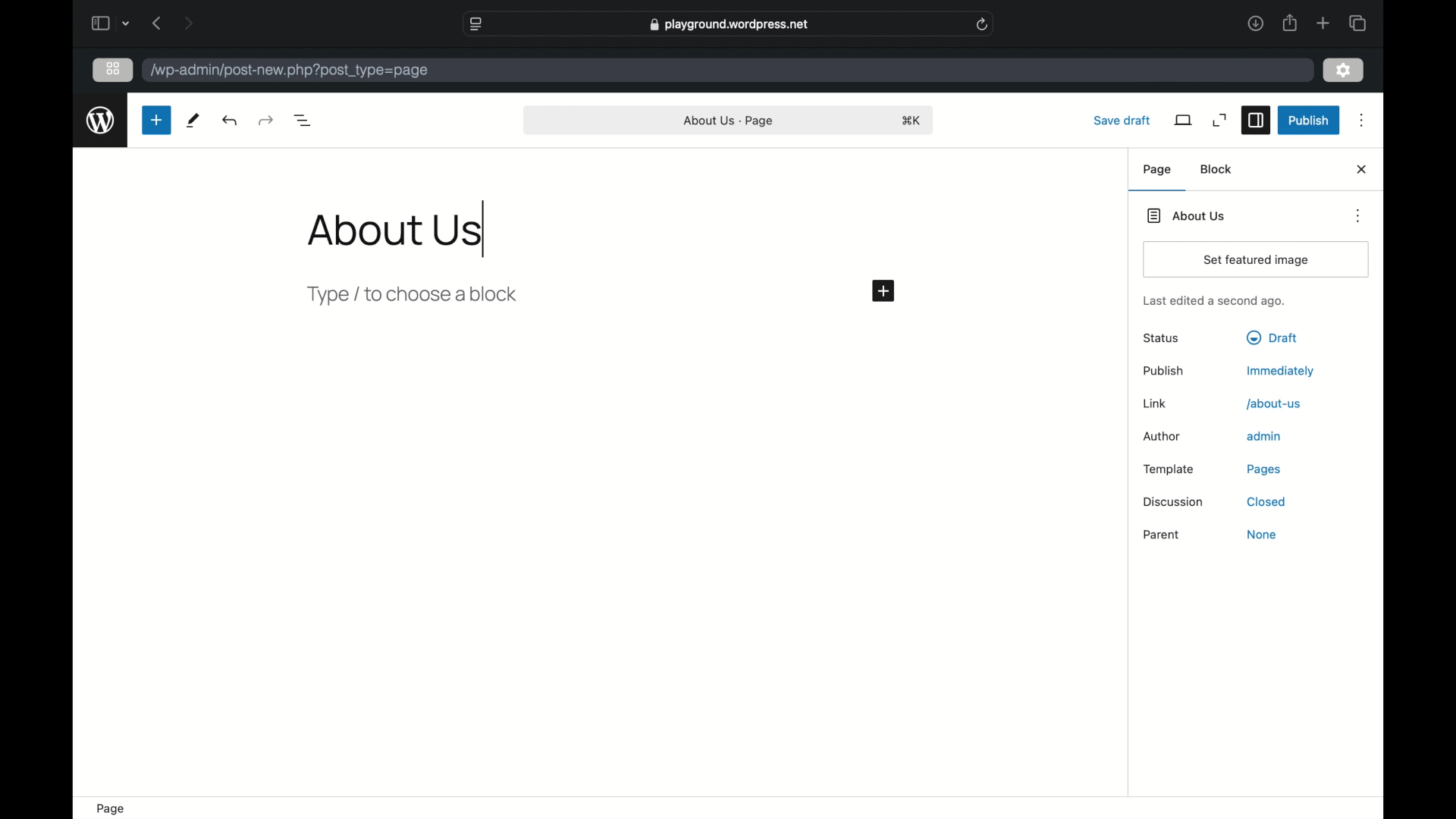 This screenshot has height=819, width=1456. I want to click on view, so click(1185, 120).